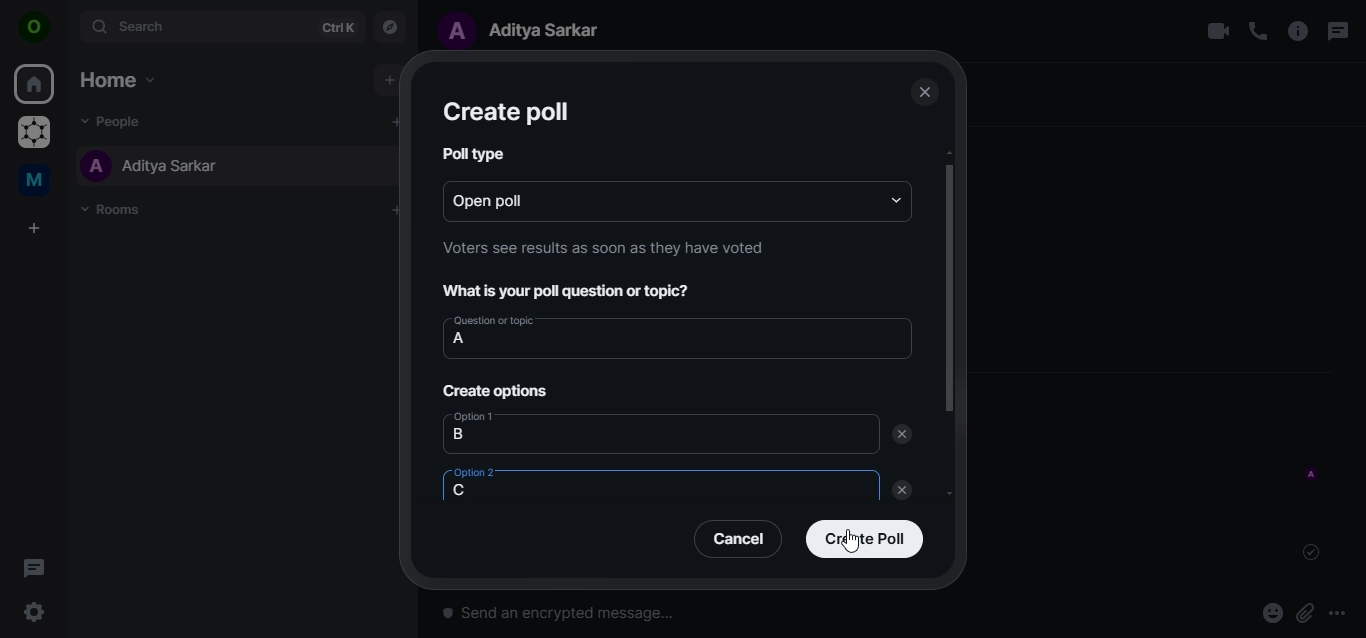 This screenshot has height=638, width=1366. I want to click on aditya sarkar, so click(151, 165).